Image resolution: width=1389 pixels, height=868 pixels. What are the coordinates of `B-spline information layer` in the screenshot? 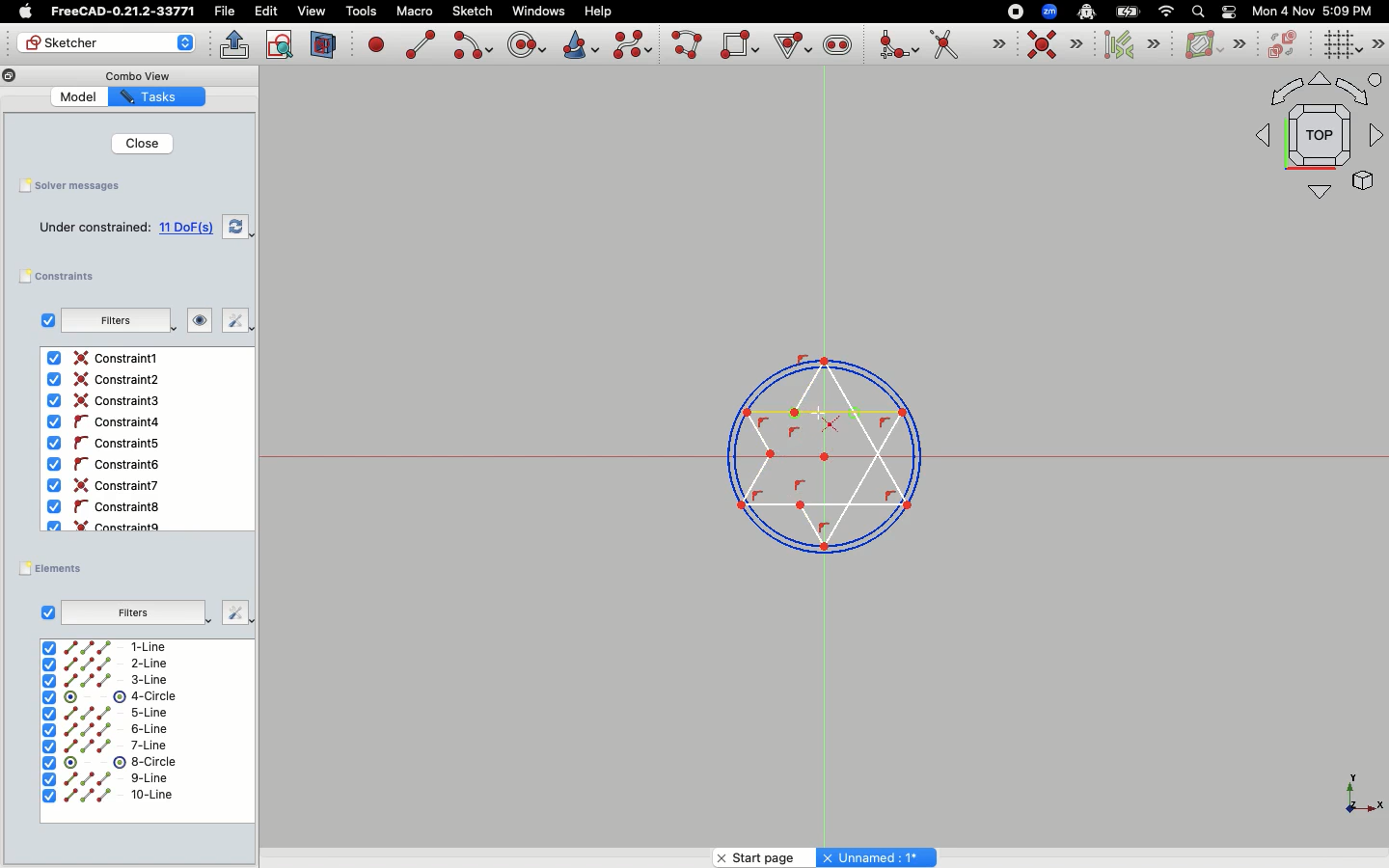 It's located at (1213, 45).